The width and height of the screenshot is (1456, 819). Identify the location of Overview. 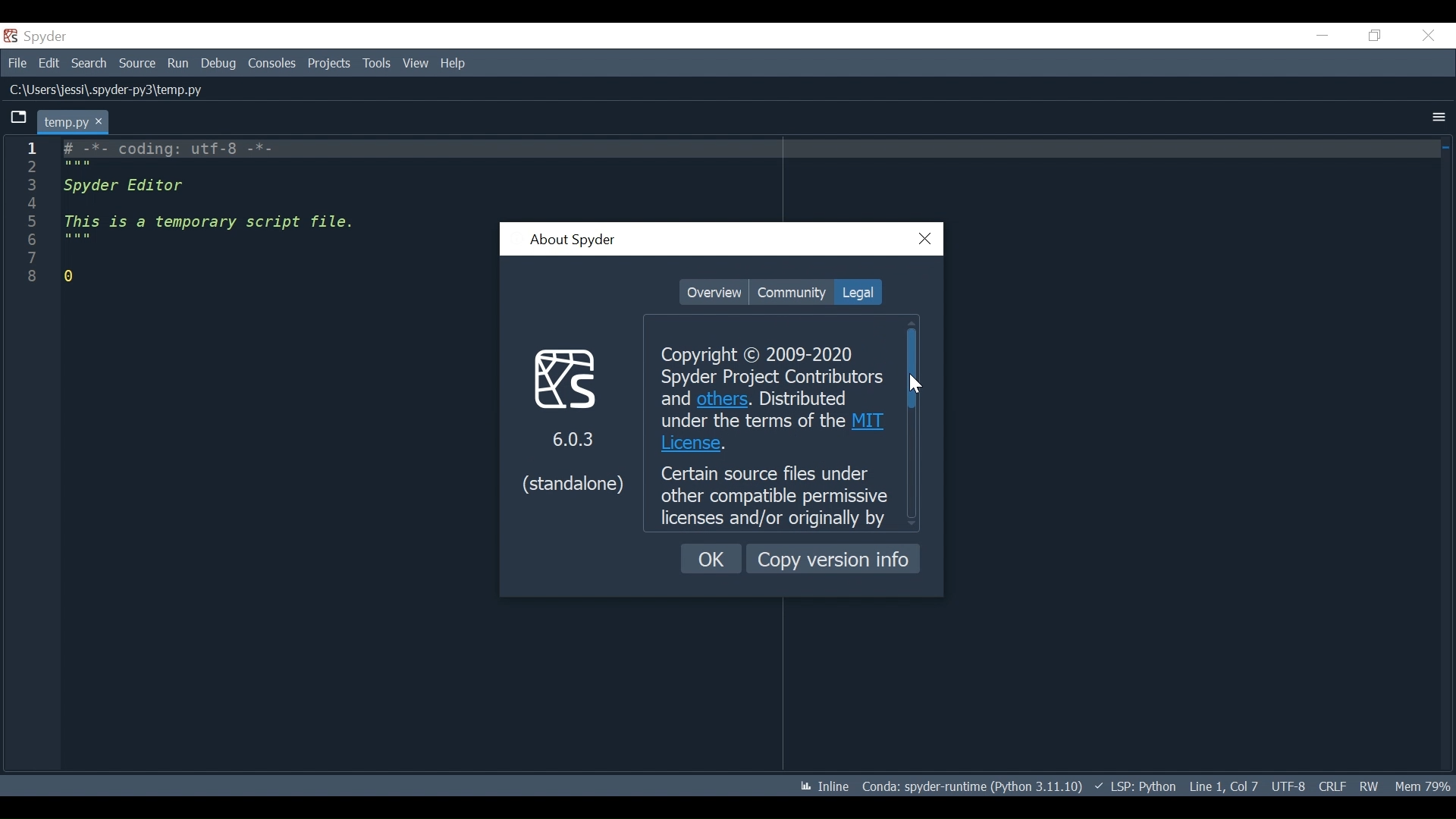
(714, 293).